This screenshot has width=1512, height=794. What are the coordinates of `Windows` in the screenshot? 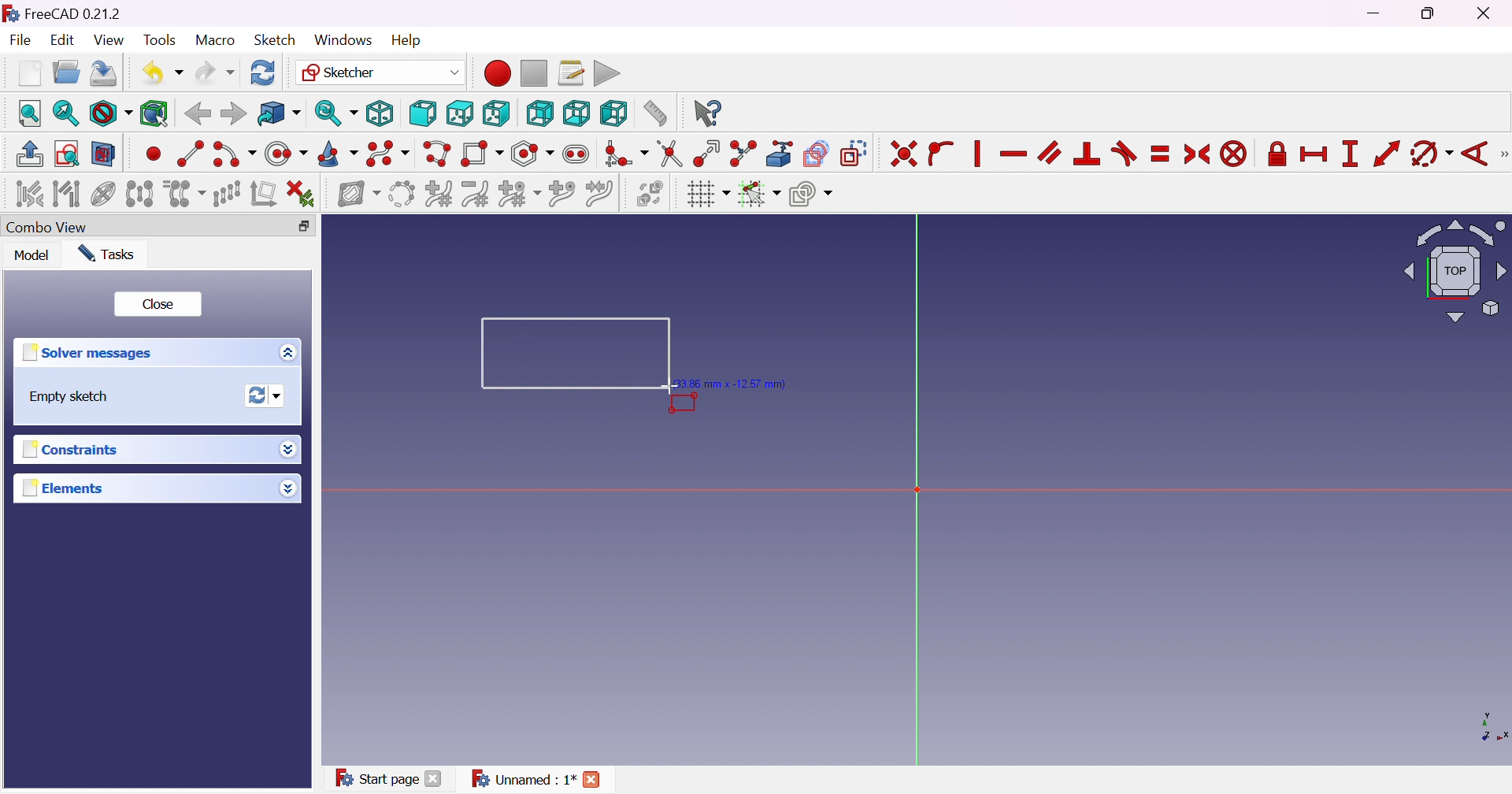 It's located at (343, 40).